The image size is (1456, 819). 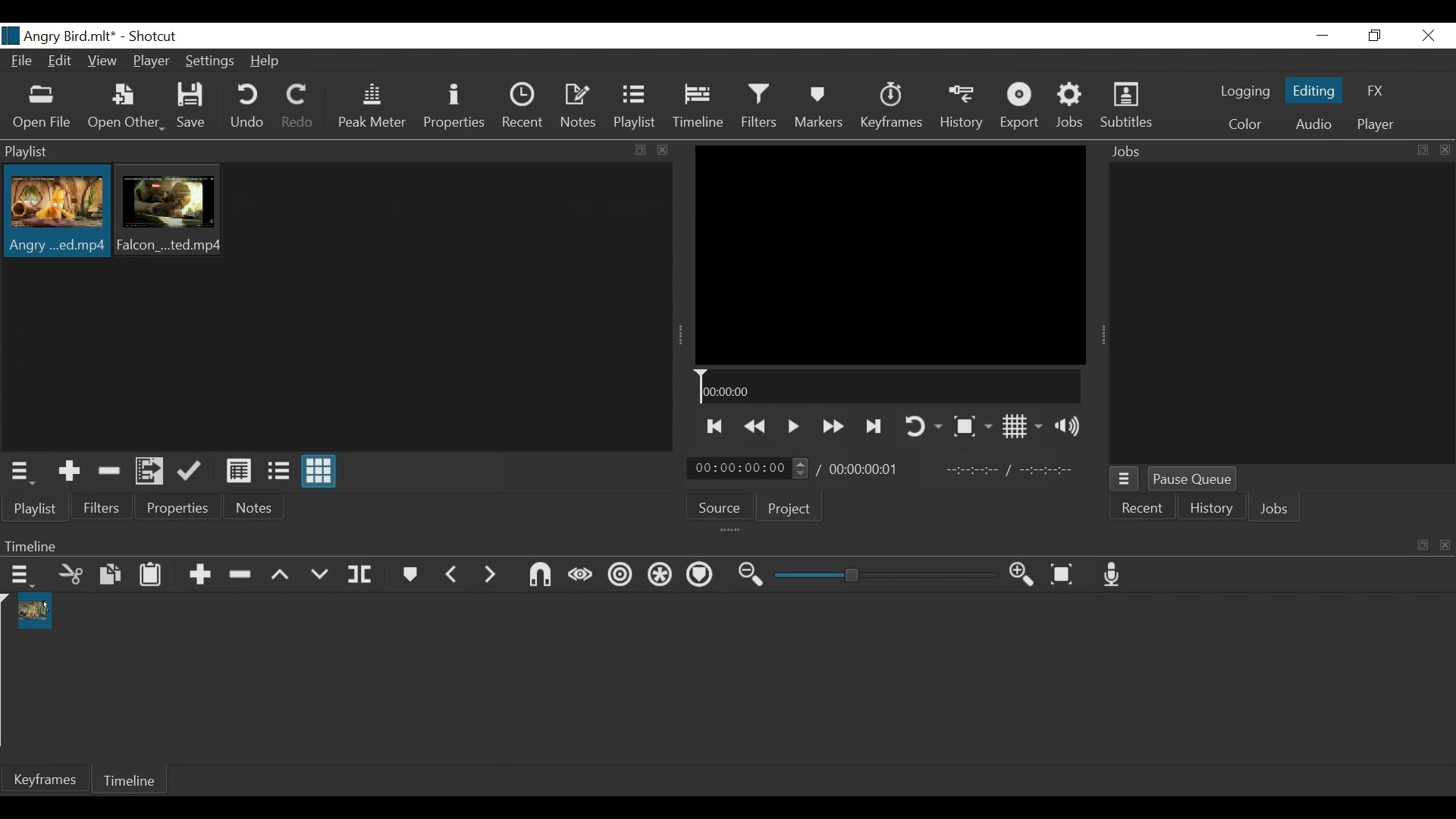 I want to click on Clip, so click(x=37, y=611).